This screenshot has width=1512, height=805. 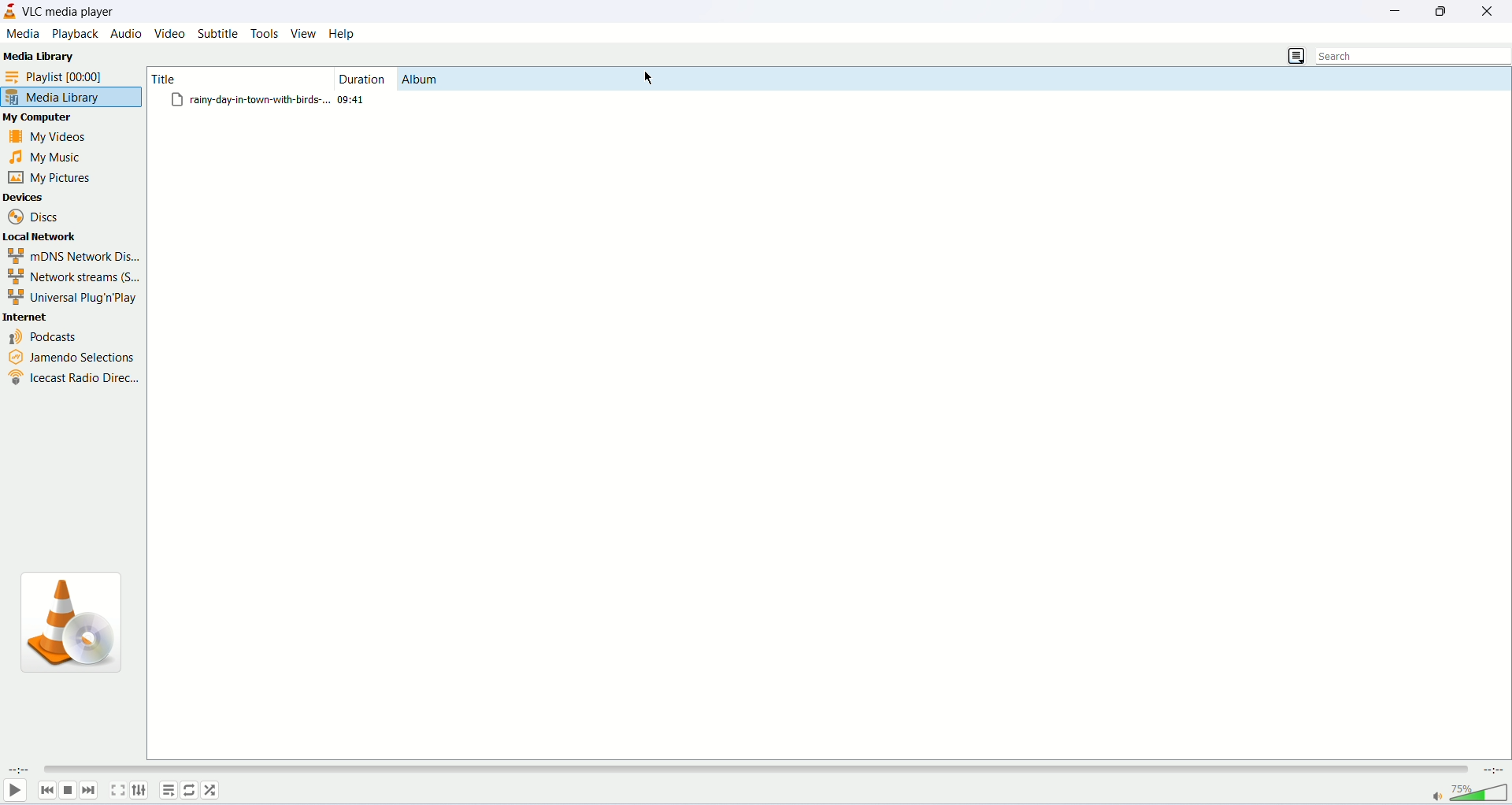 I want to click on random, so click(x=212, y=791).